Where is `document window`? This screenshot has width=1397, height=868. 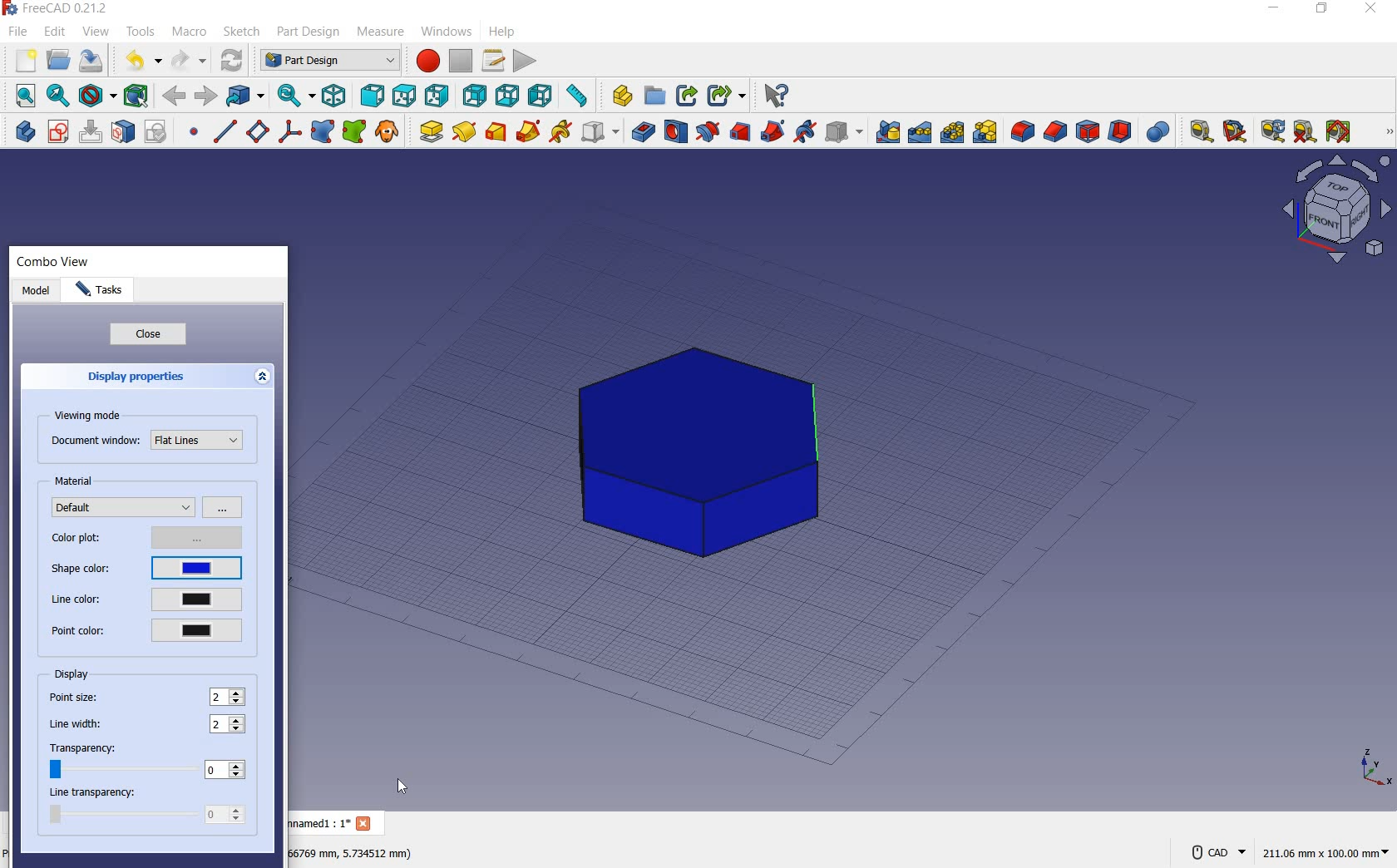
document window is located at coordinates (92, 440).